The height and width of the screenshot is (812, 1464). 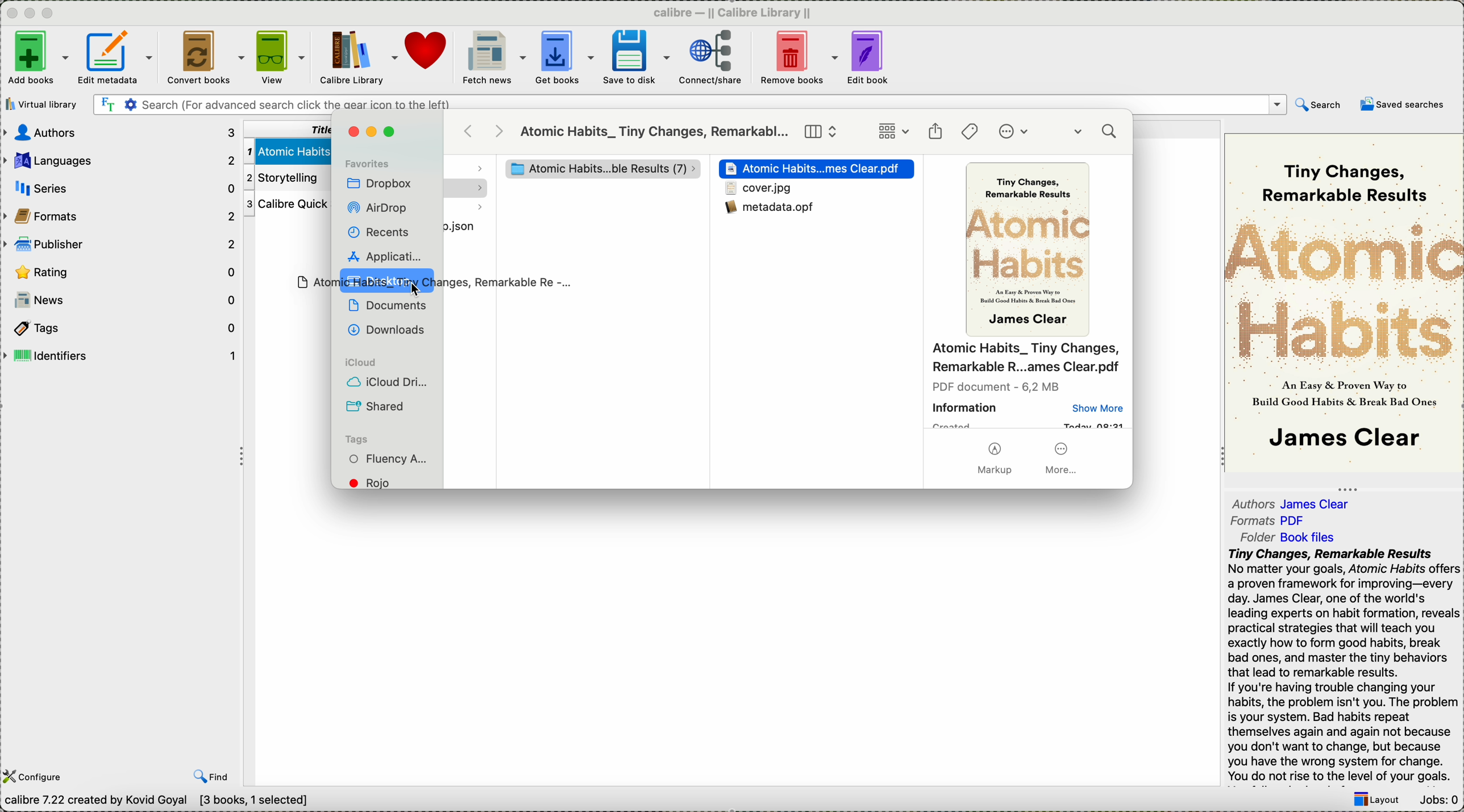 I want to click on share, so click(x=935, y=132).